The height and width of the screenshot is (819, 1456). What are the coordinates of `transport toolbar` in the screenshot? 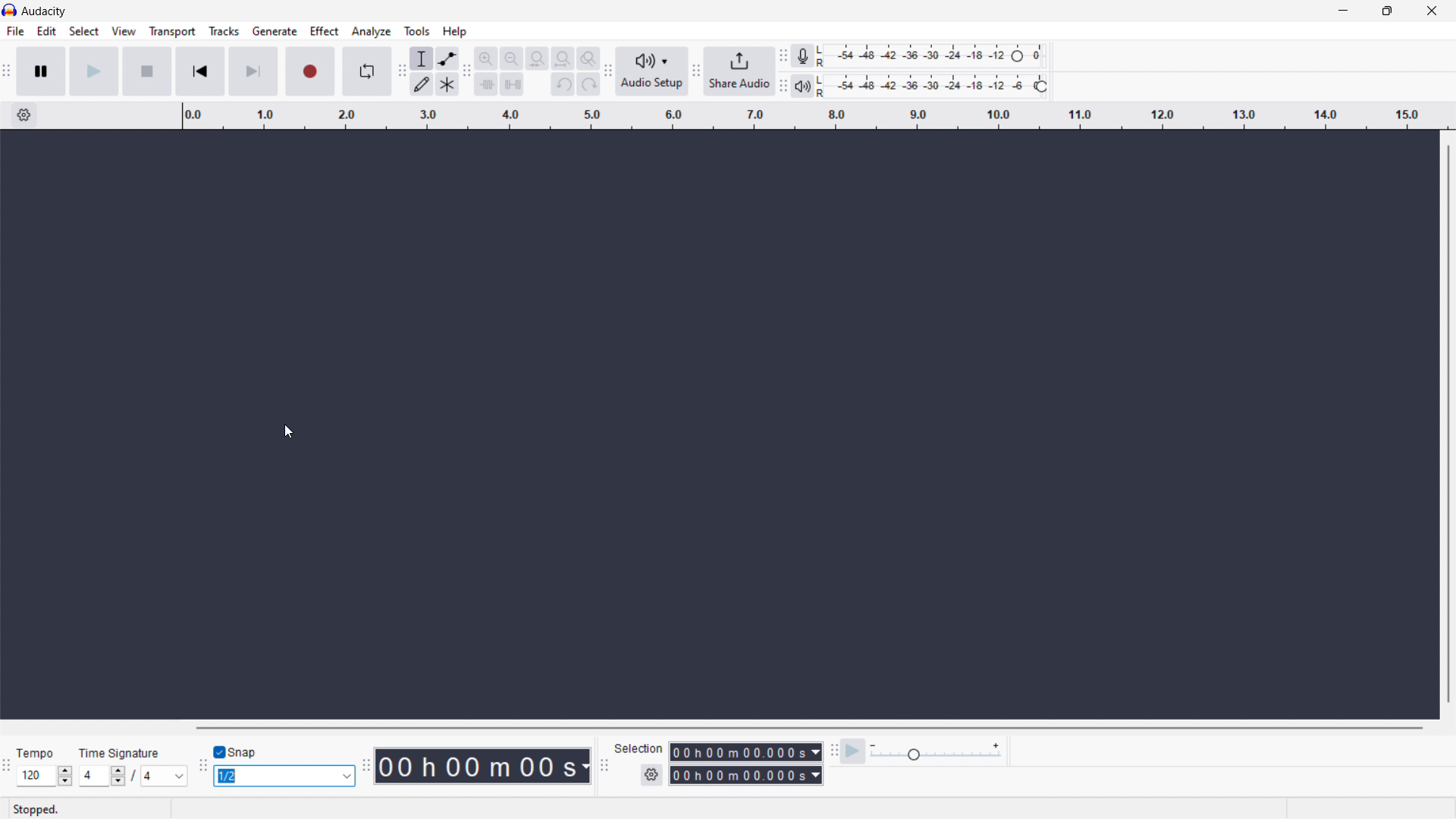 It's located at (8, 72).